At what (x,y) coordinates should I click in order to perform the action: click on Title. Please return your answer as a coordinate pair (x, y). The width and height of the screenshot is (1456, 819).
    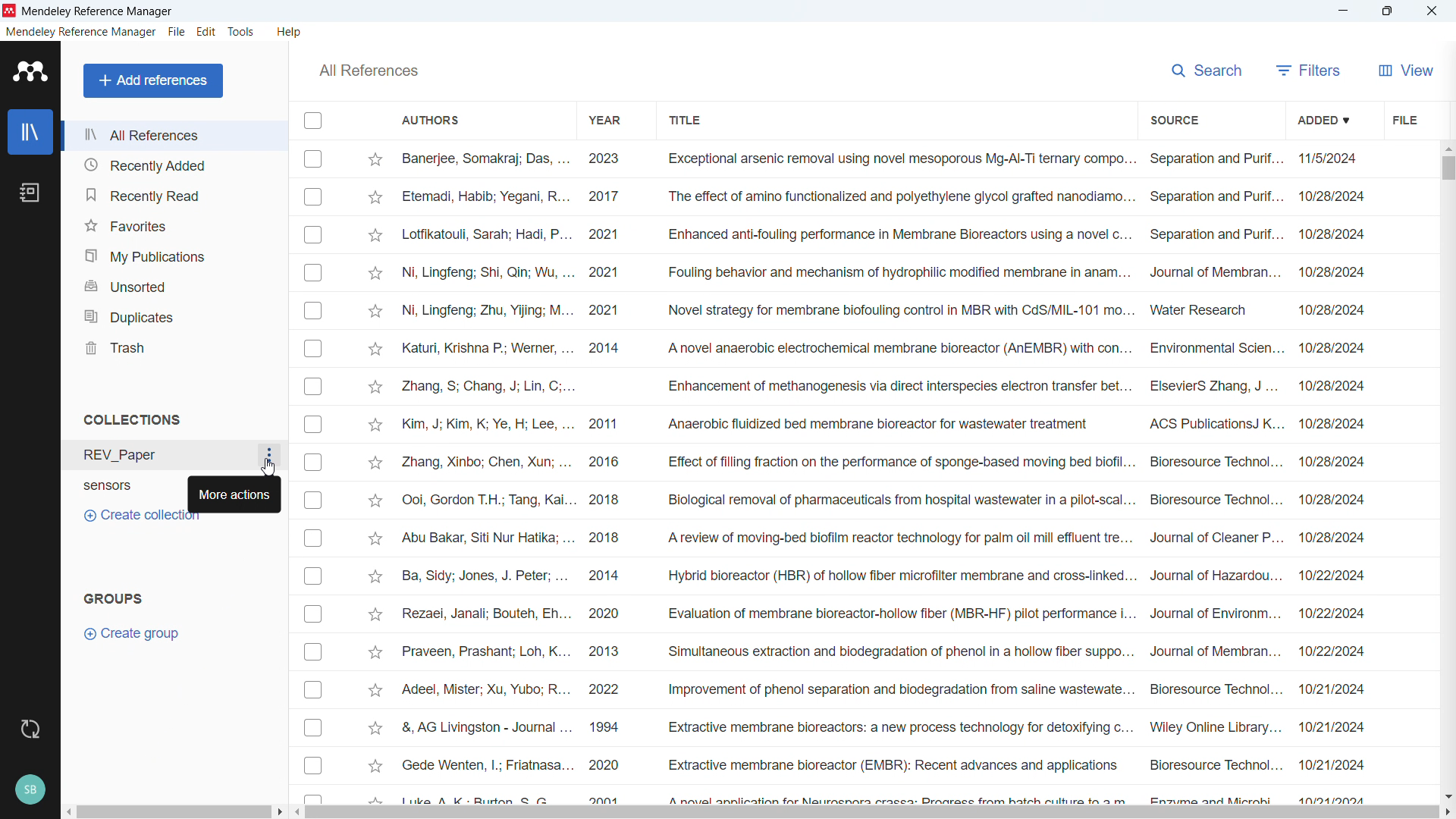
    Looking at the image, I should click on (684, 118).